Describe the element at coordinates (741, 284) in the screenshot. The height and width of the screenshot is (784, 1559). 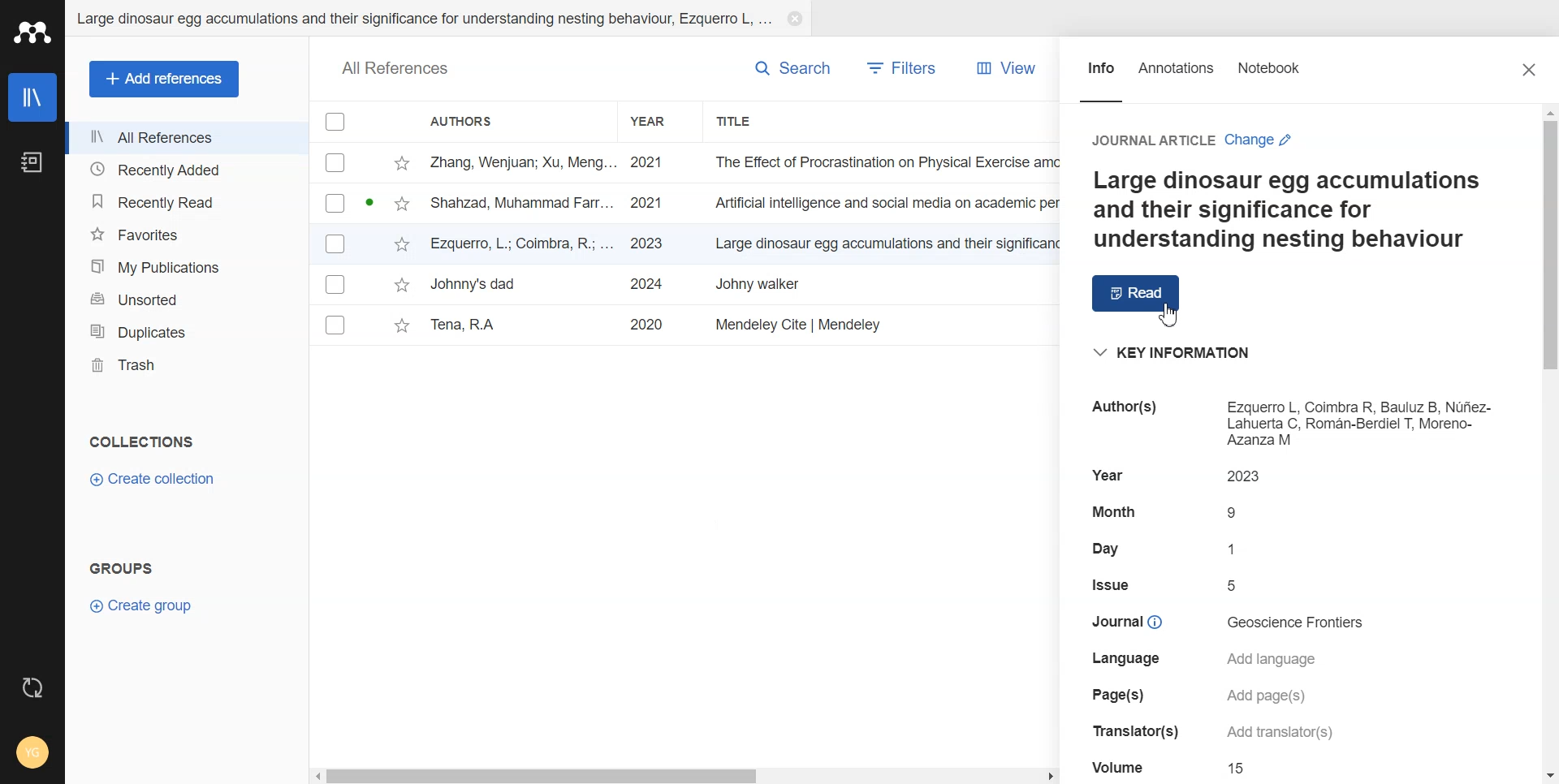
I see `File` at that location.